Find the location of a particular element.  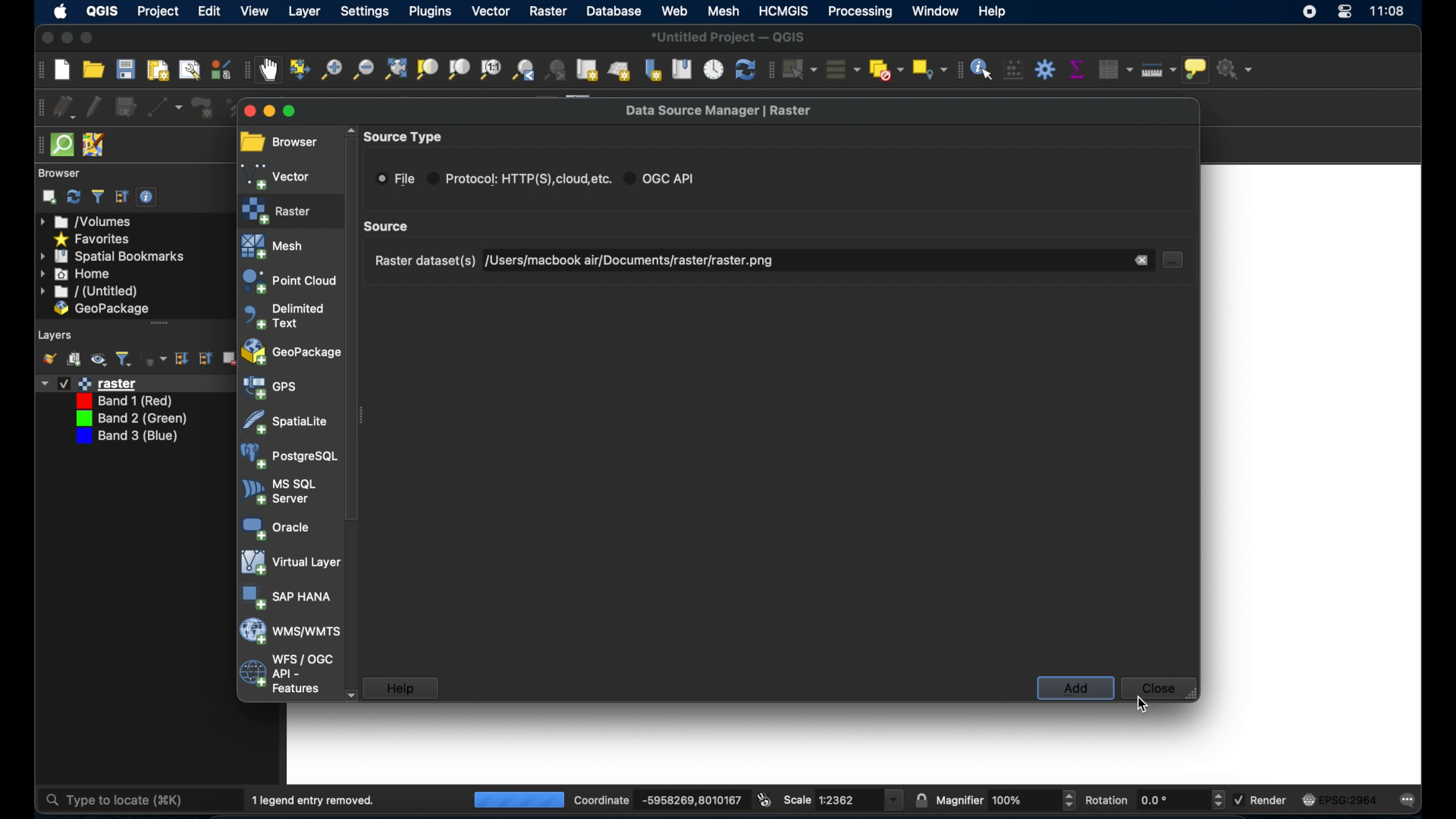

favorites is located at coordinates (94, 238).